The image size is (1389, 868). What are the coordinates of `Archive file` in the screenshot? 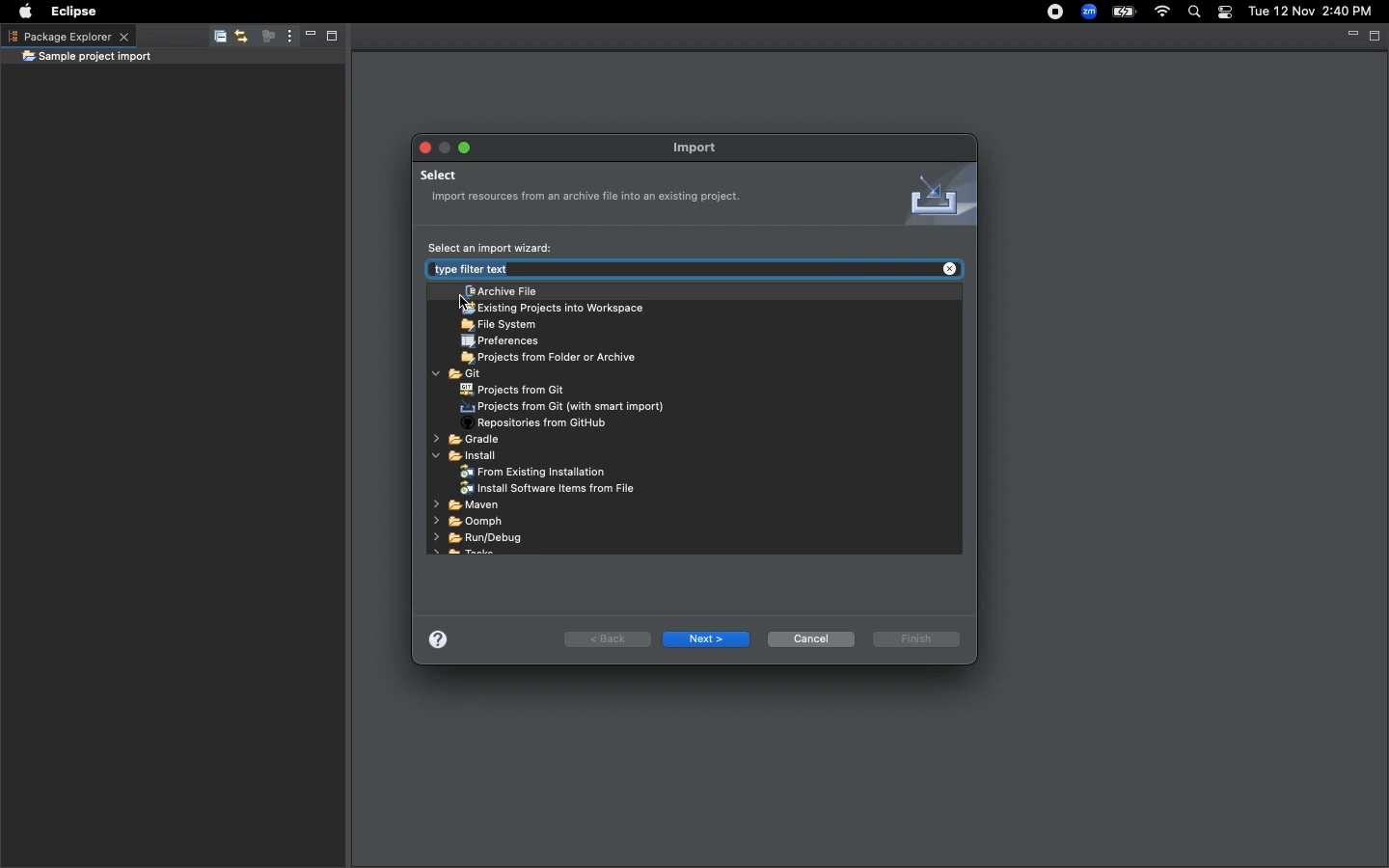 It's located at (501, 292).